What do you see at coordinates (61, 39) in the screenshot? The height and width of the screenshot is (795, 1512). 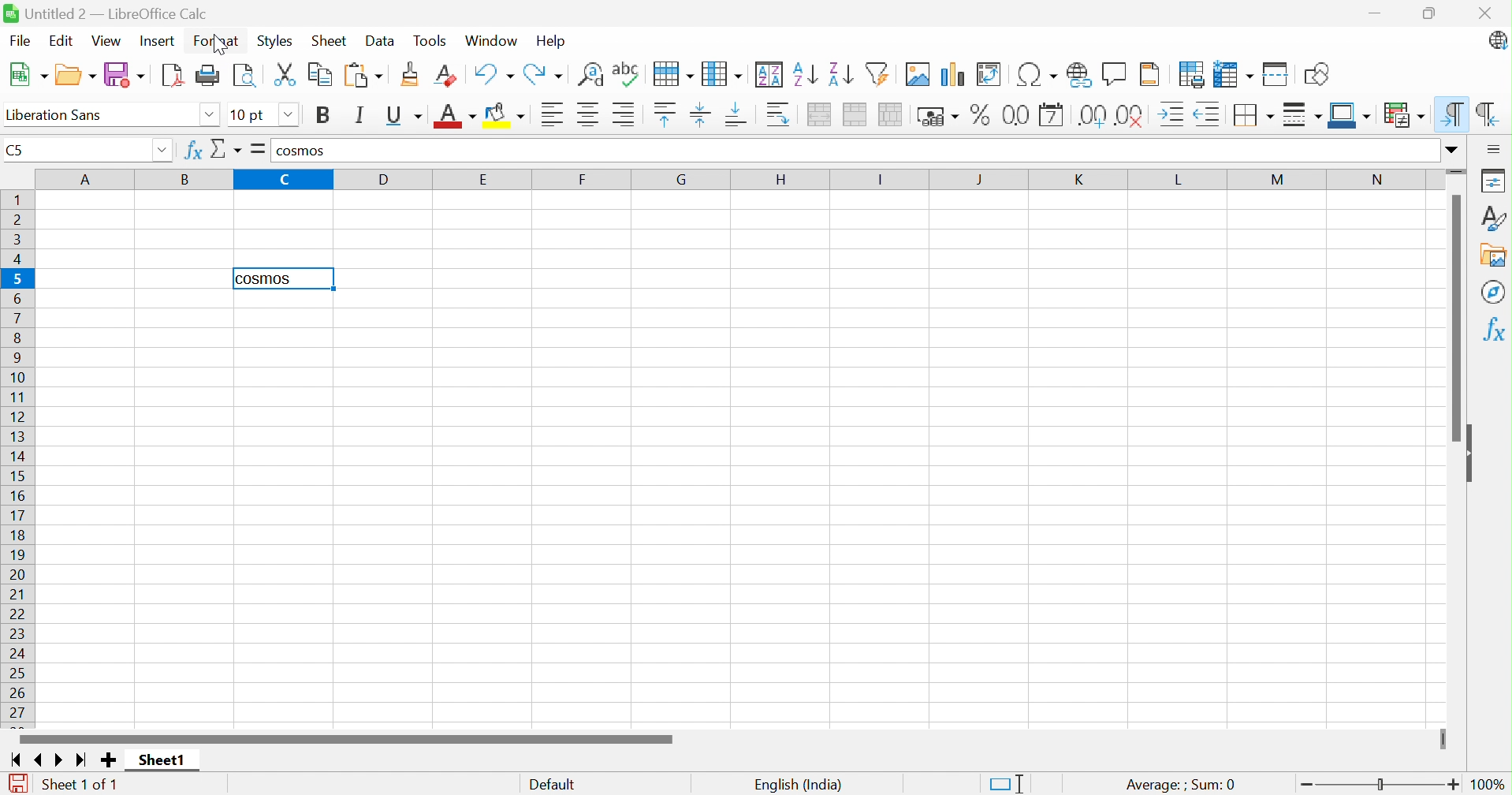 I see `Edit` at bounding box center [61, 39].